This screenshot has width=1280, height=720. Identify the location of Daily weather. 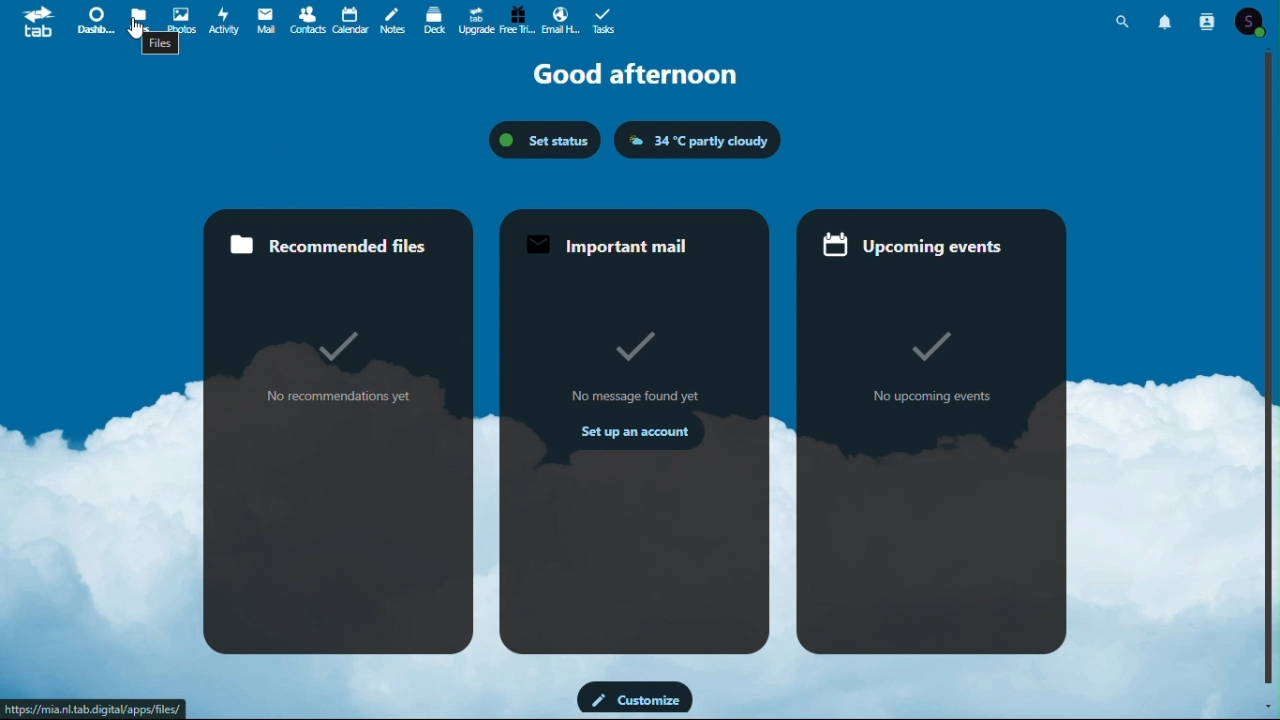
(697, 140).